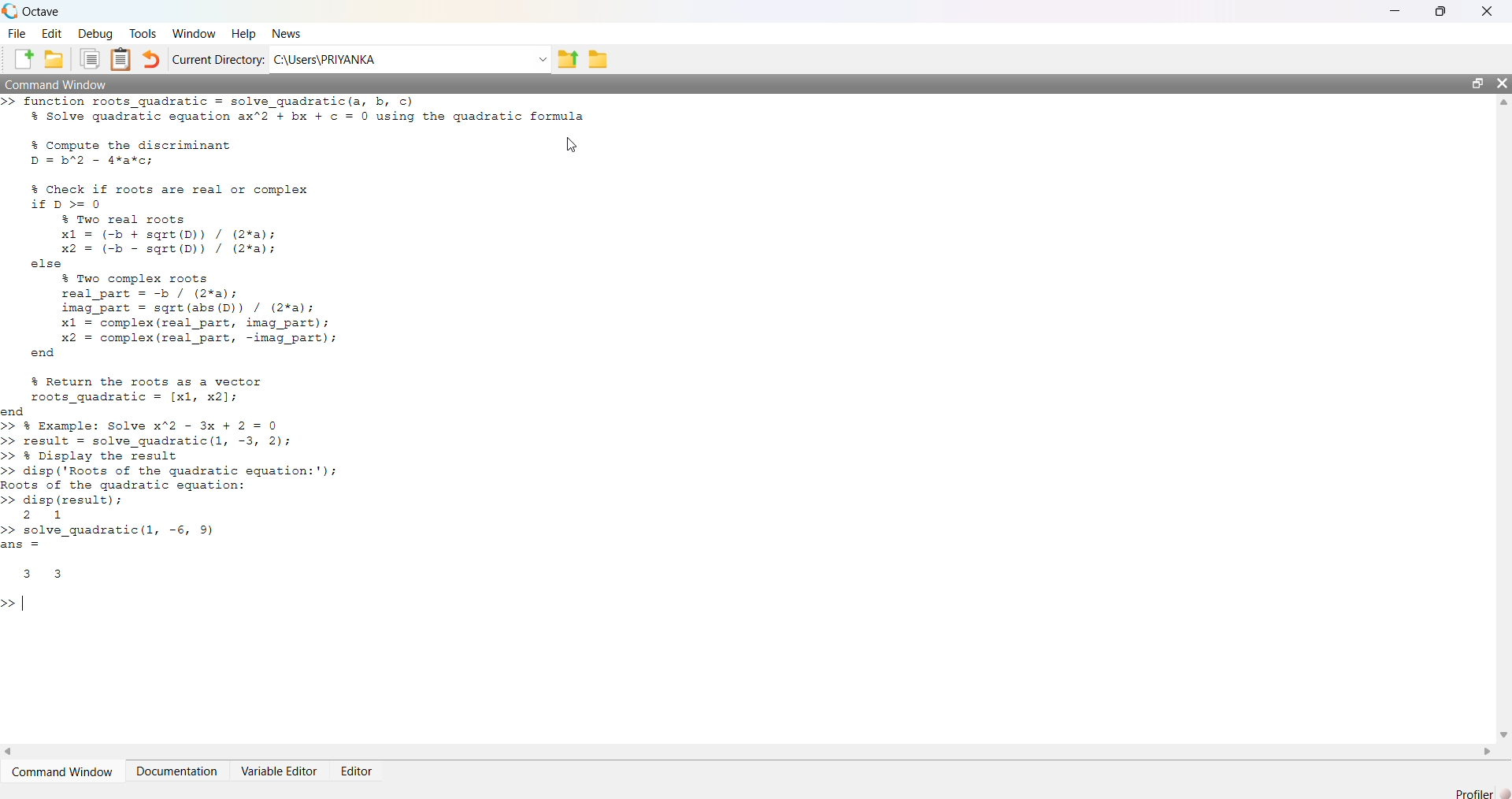  I want to click on Editor, so click(360, 767).